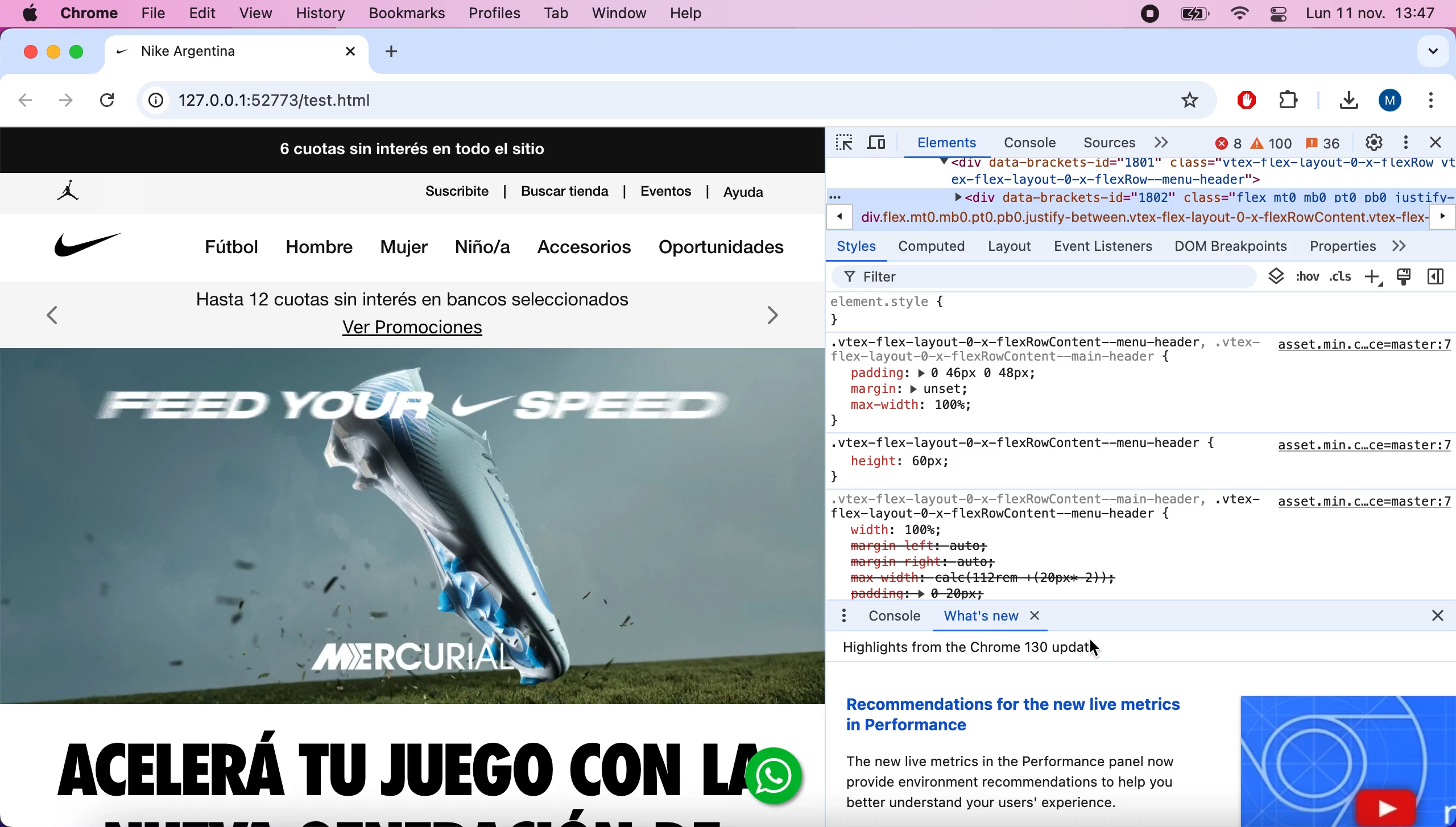  Describe the element at coordinates (80, 48) in the screenshot. I see `mazimize` at that location.